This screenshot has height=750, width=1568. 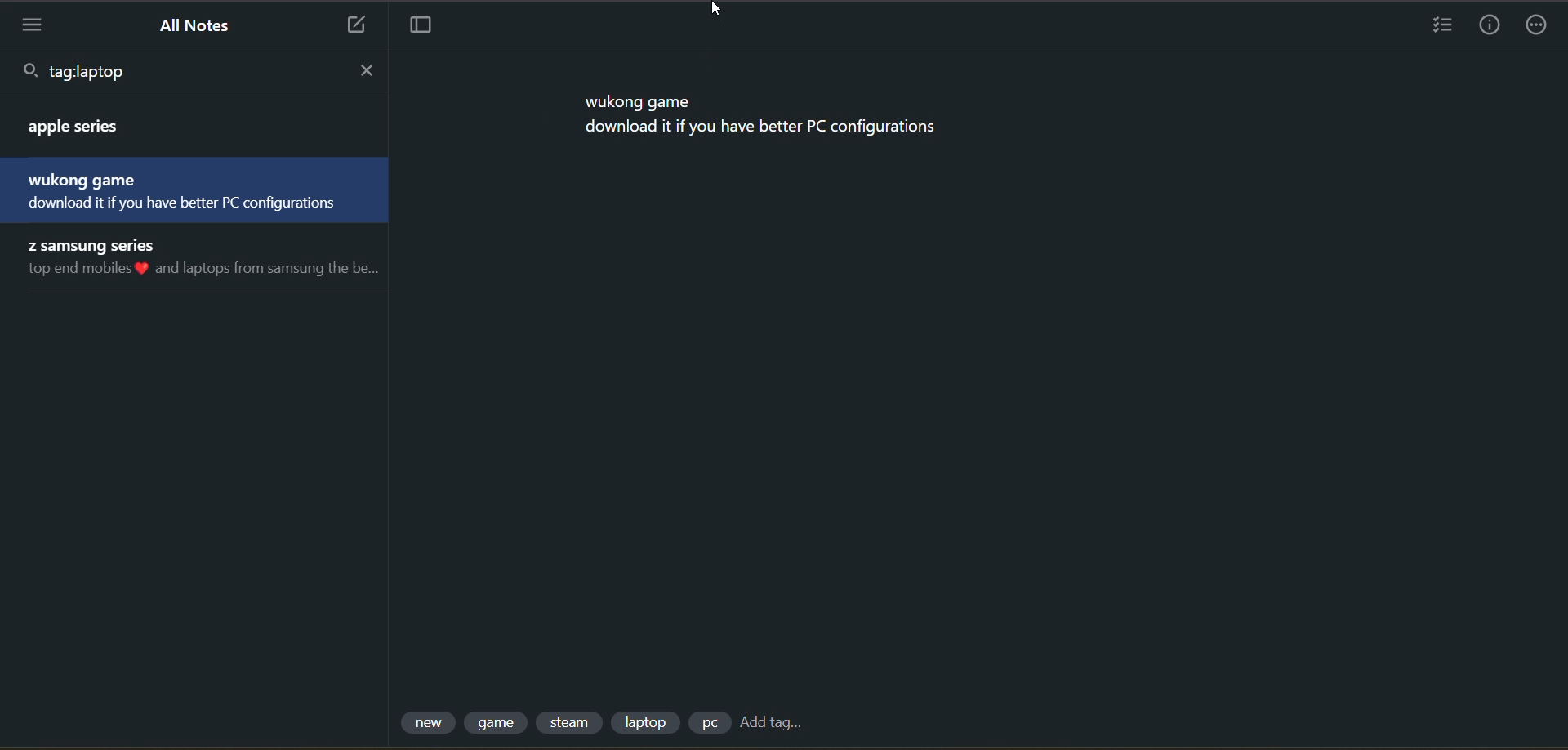 I want to click on cursor, so click(x=719, y=11).